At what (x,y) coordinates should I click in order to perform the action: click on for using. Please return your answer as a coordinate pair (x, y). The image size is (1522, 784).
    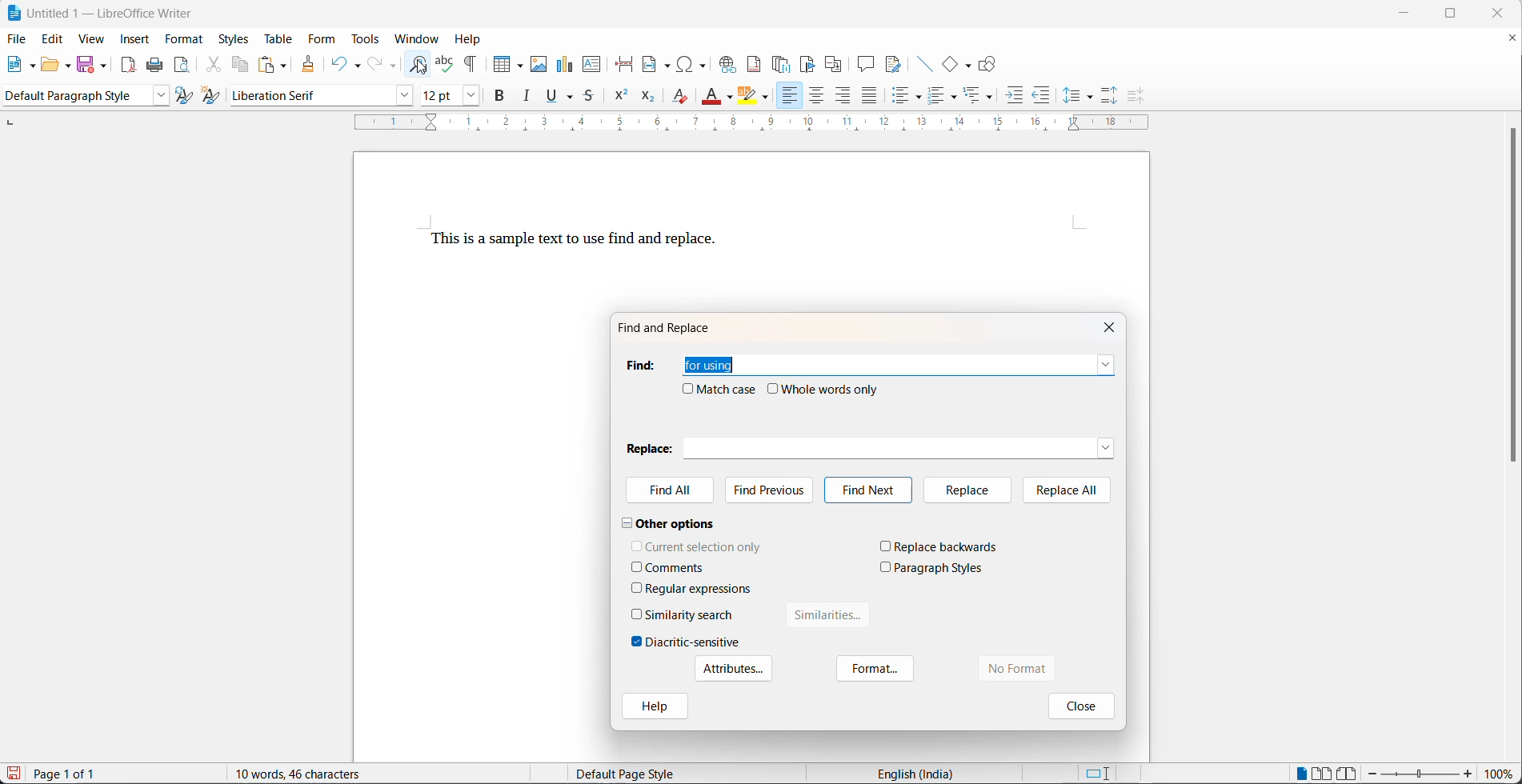
    Looking at the image, I should click on (884, 363).